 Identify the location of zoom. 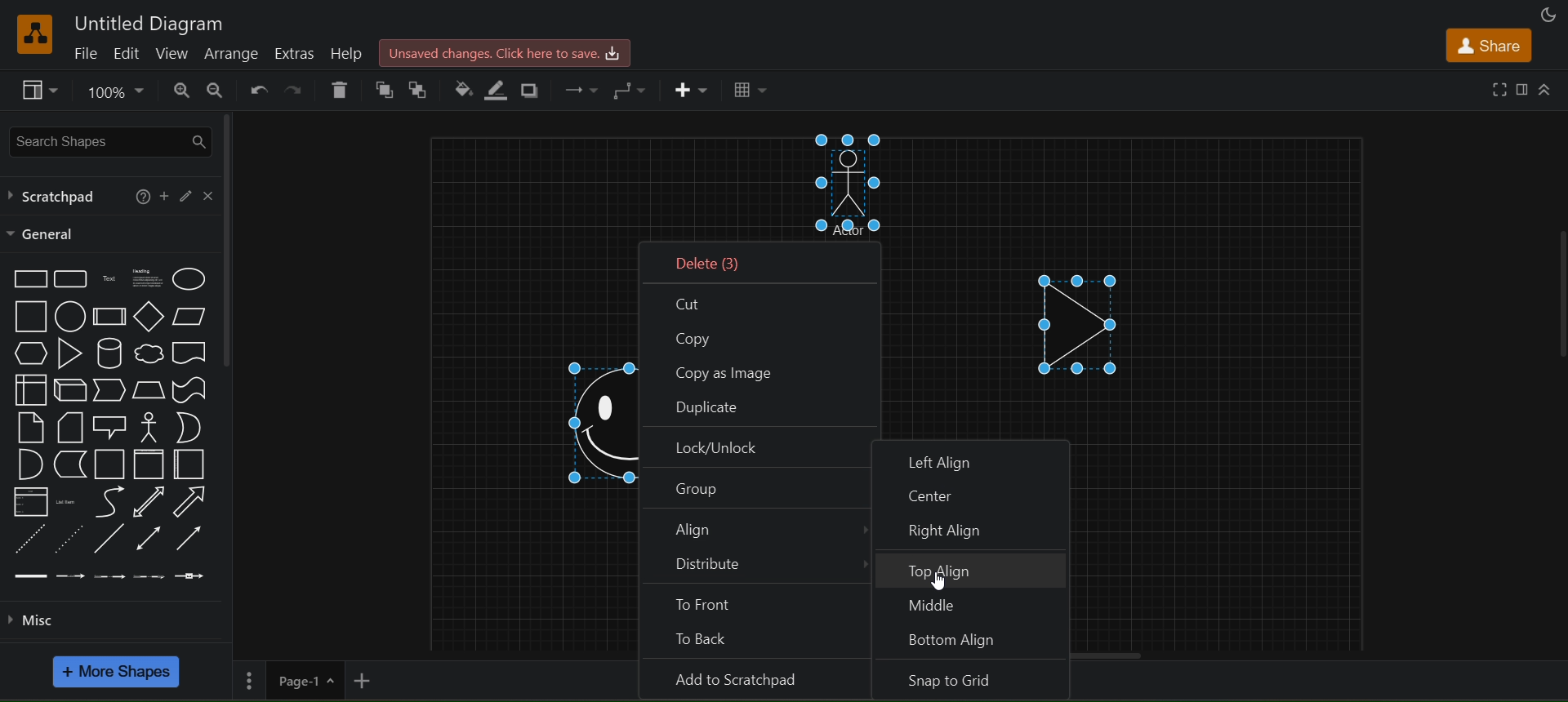
(111, 91).